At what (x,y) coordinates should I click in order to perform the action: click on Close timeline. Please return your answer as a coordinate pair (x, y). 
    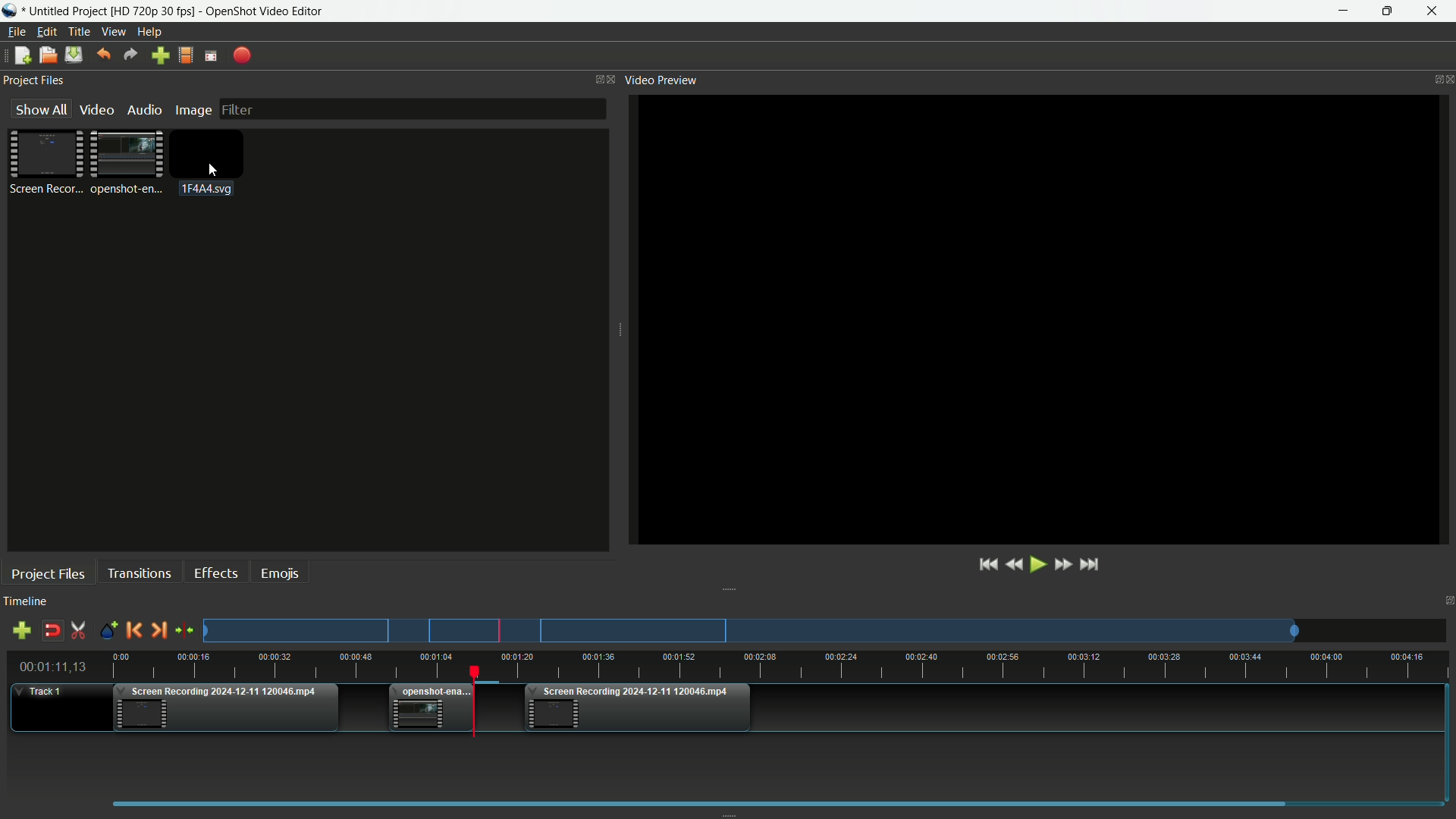
    Looking at the image, I should click on (1447, 603).